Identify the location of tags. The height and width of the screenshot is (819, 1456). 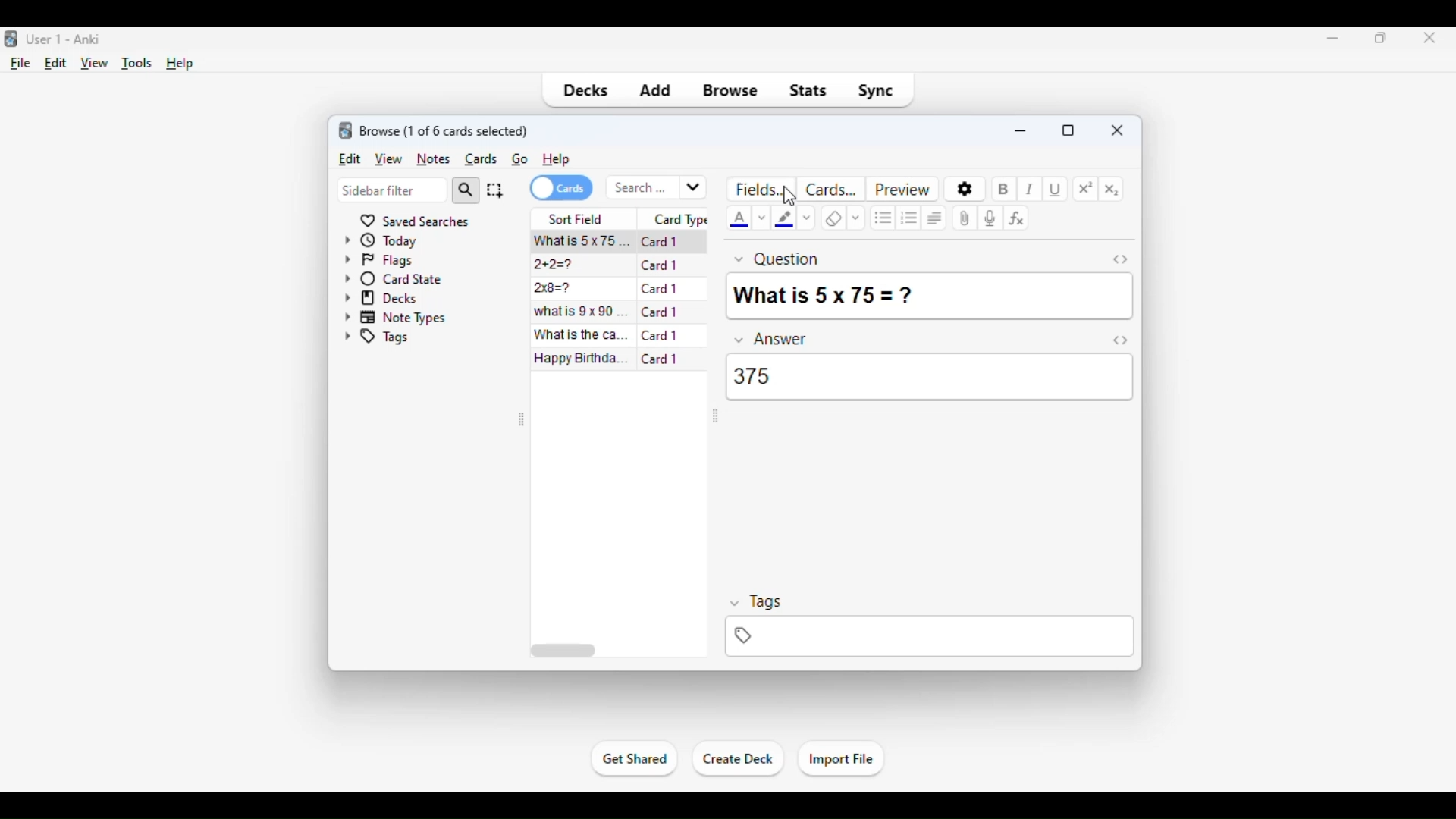
(929, 637).